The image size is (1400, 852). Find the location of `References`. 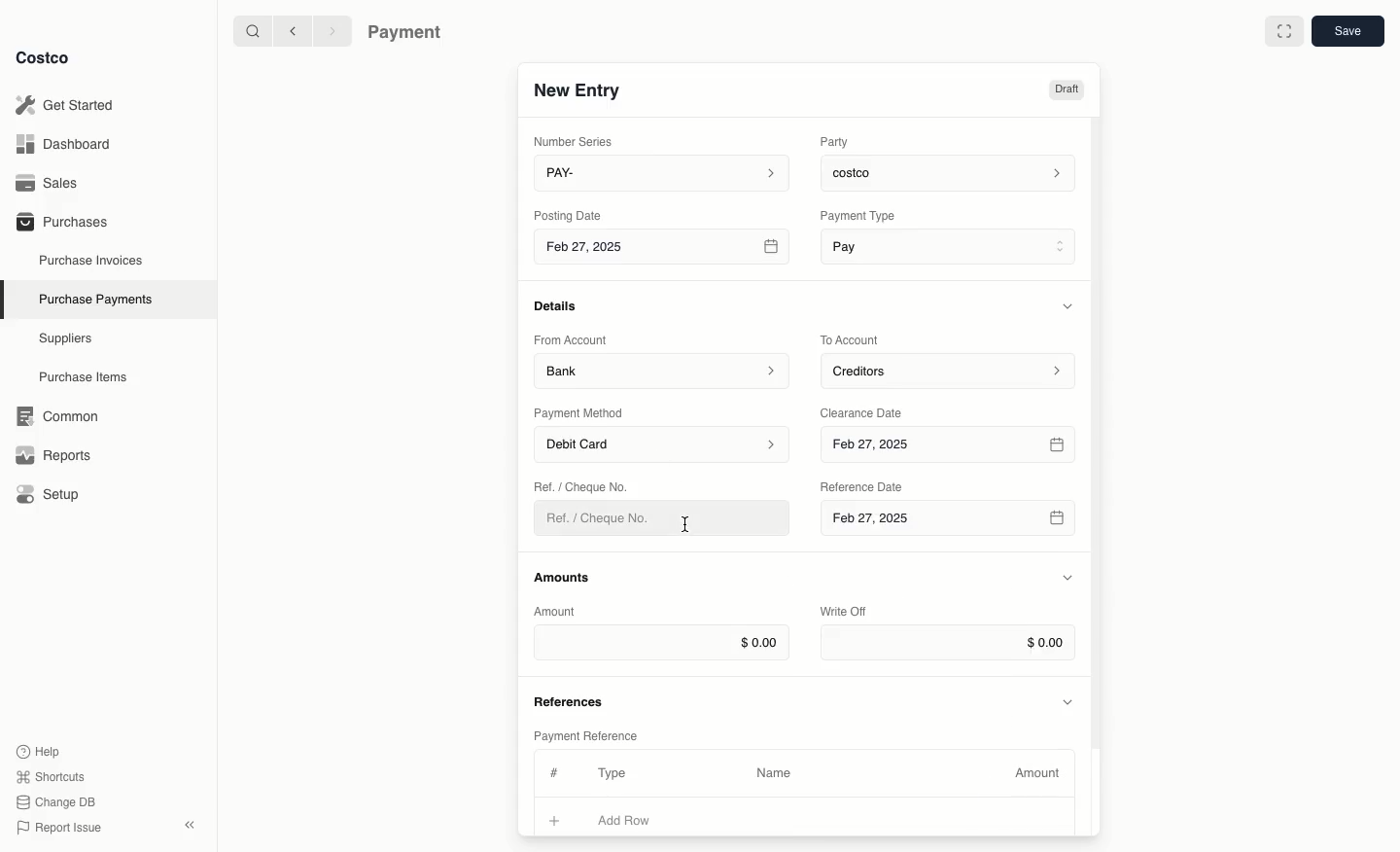

References is located at coordinates (572, 699).